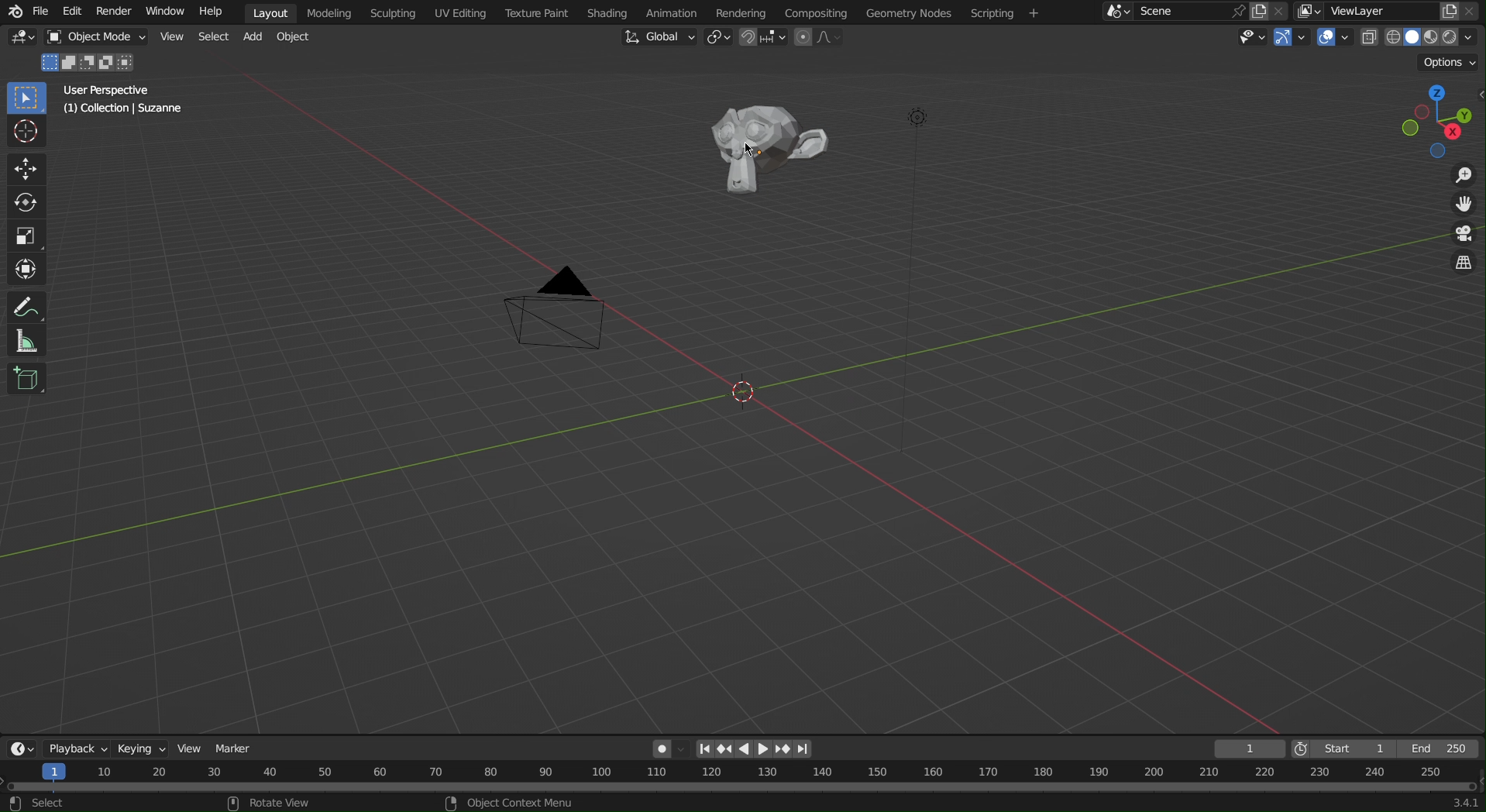 Image resolution: width=1486 pixels, height=812 pixels. I want to click on close, so click(1471, 11).